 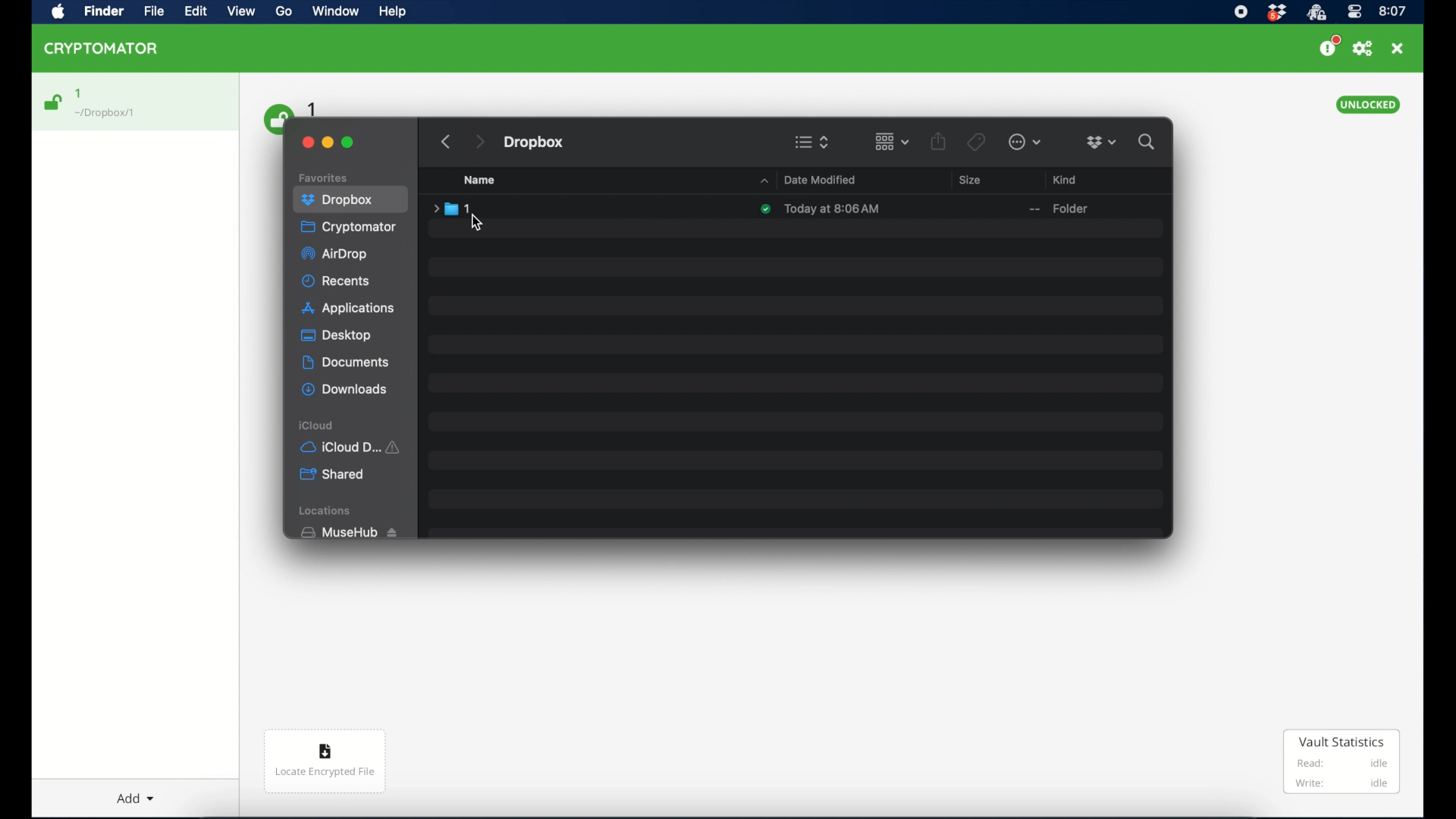 I want to click on unlocked icon, so click(x=54, y=102).